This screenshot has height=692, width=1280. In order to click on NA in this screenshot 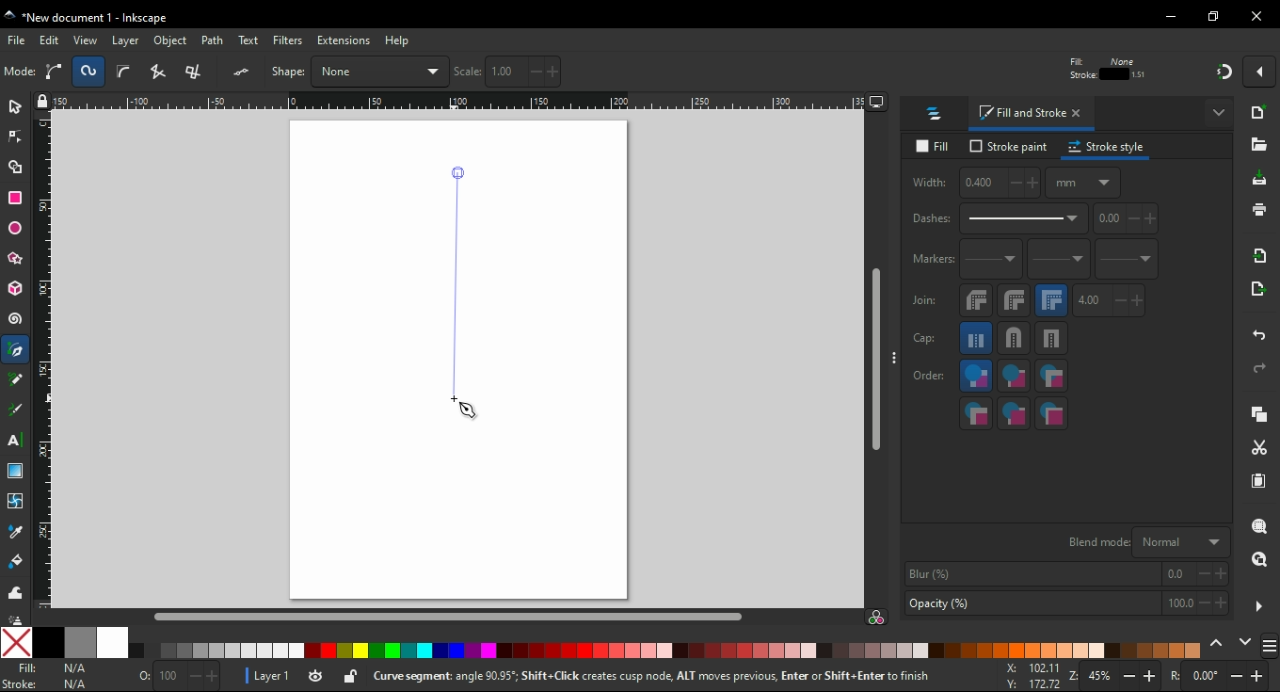, I will do `click(74, 676)`.